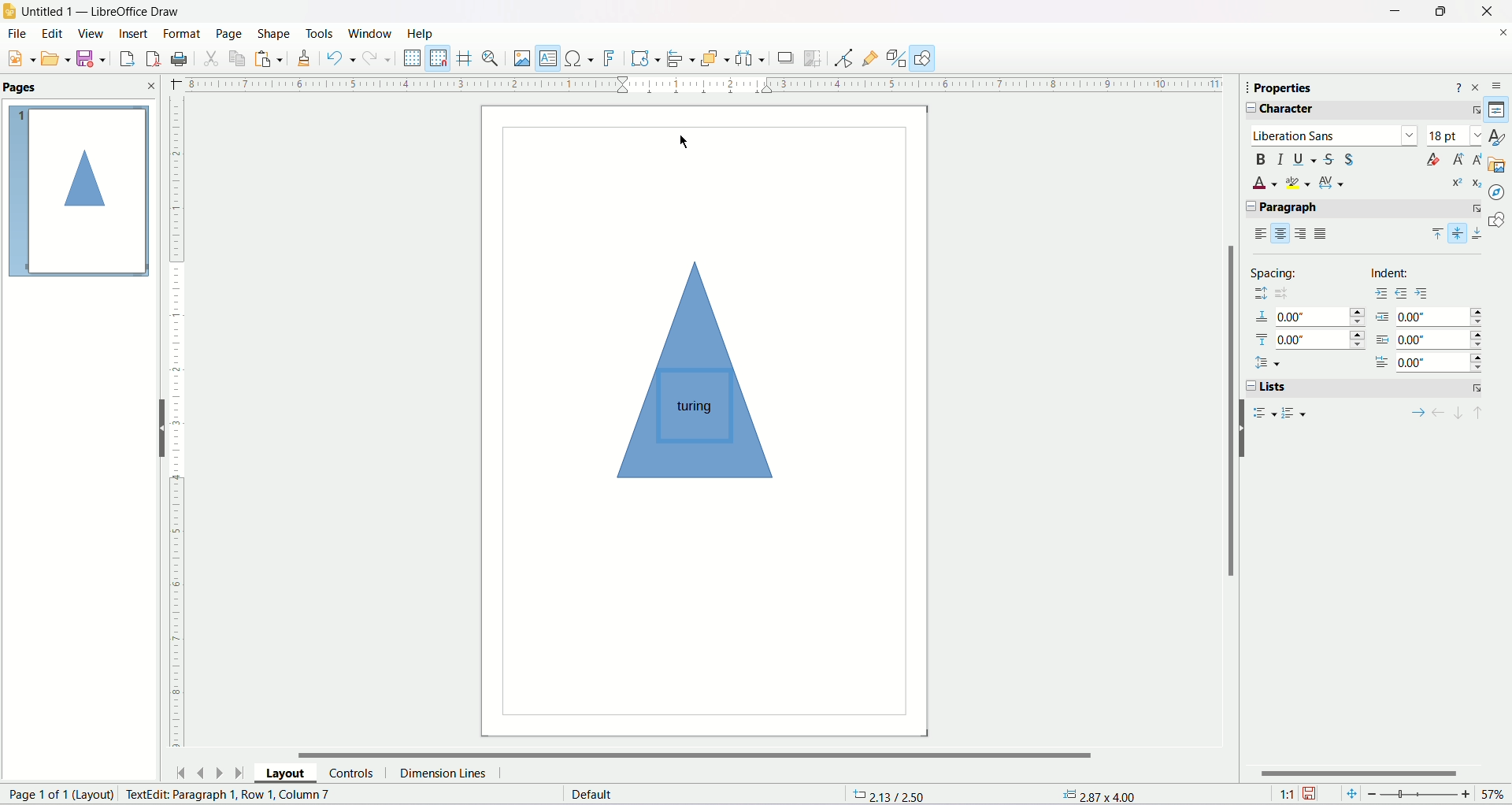  Describe the element at coordinates (9, 9) in the screenshot. I see `LibreOffice Draw app icon` at that location.